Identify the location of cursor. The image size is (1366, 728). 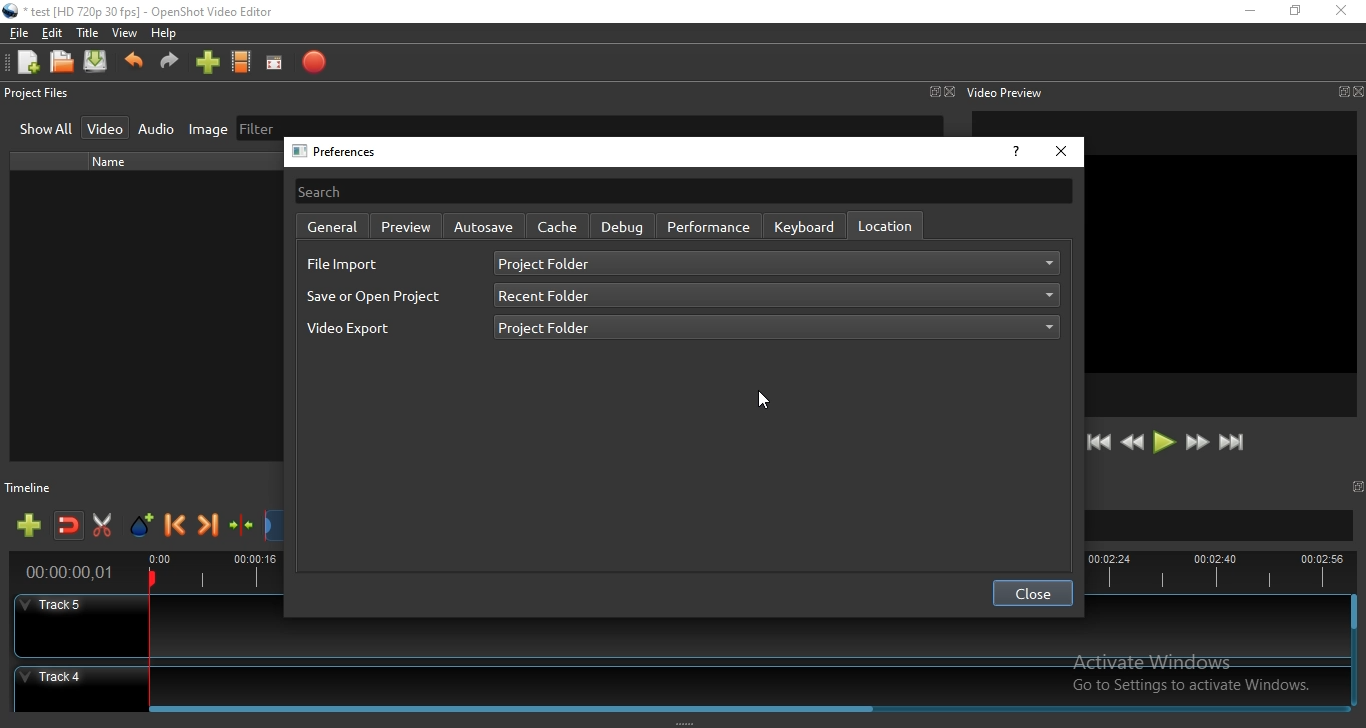
(765, 400).